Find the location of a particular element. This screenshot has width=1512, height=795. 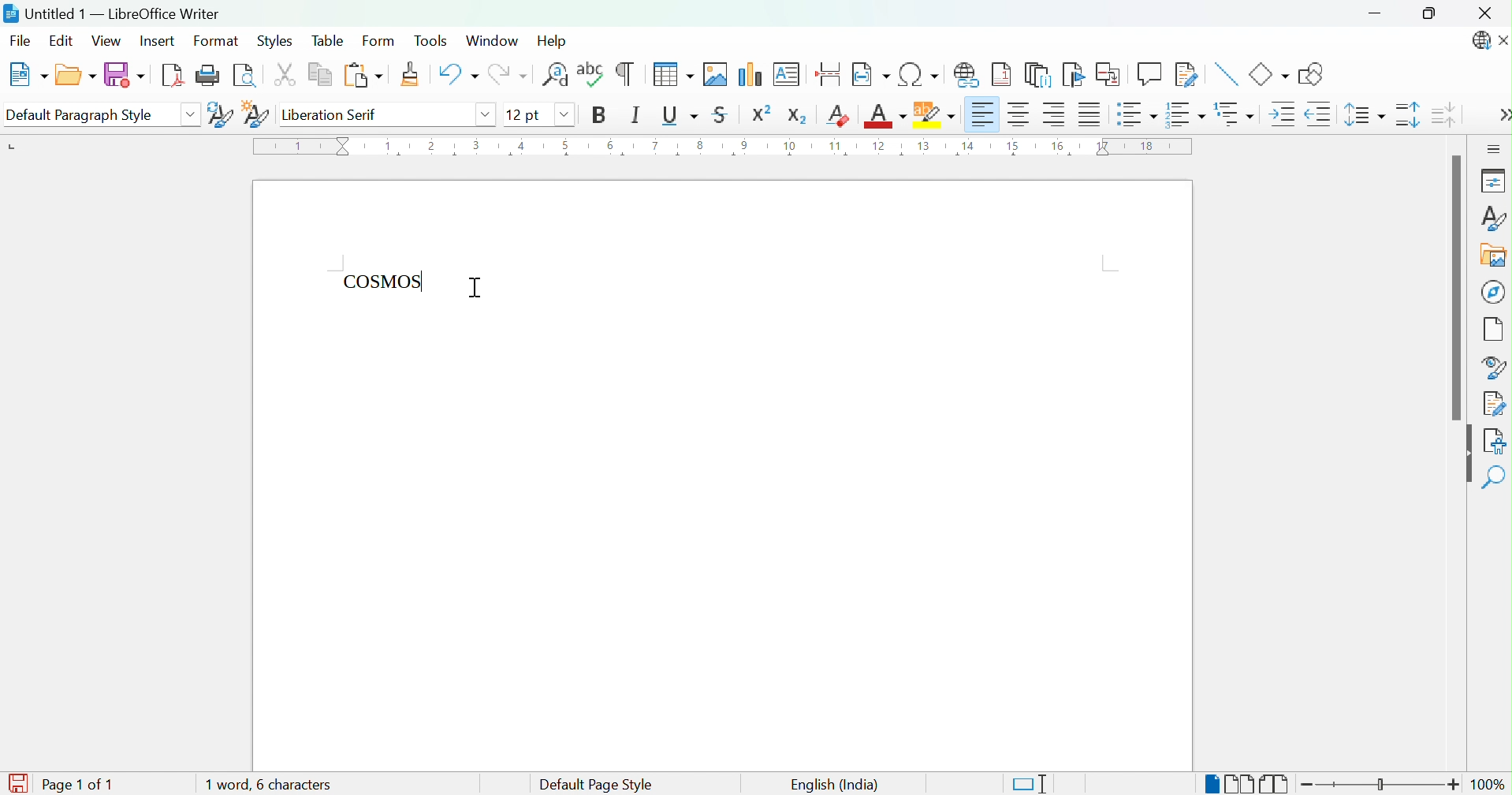

Insert Comment is located at coordinates (1149, 74).